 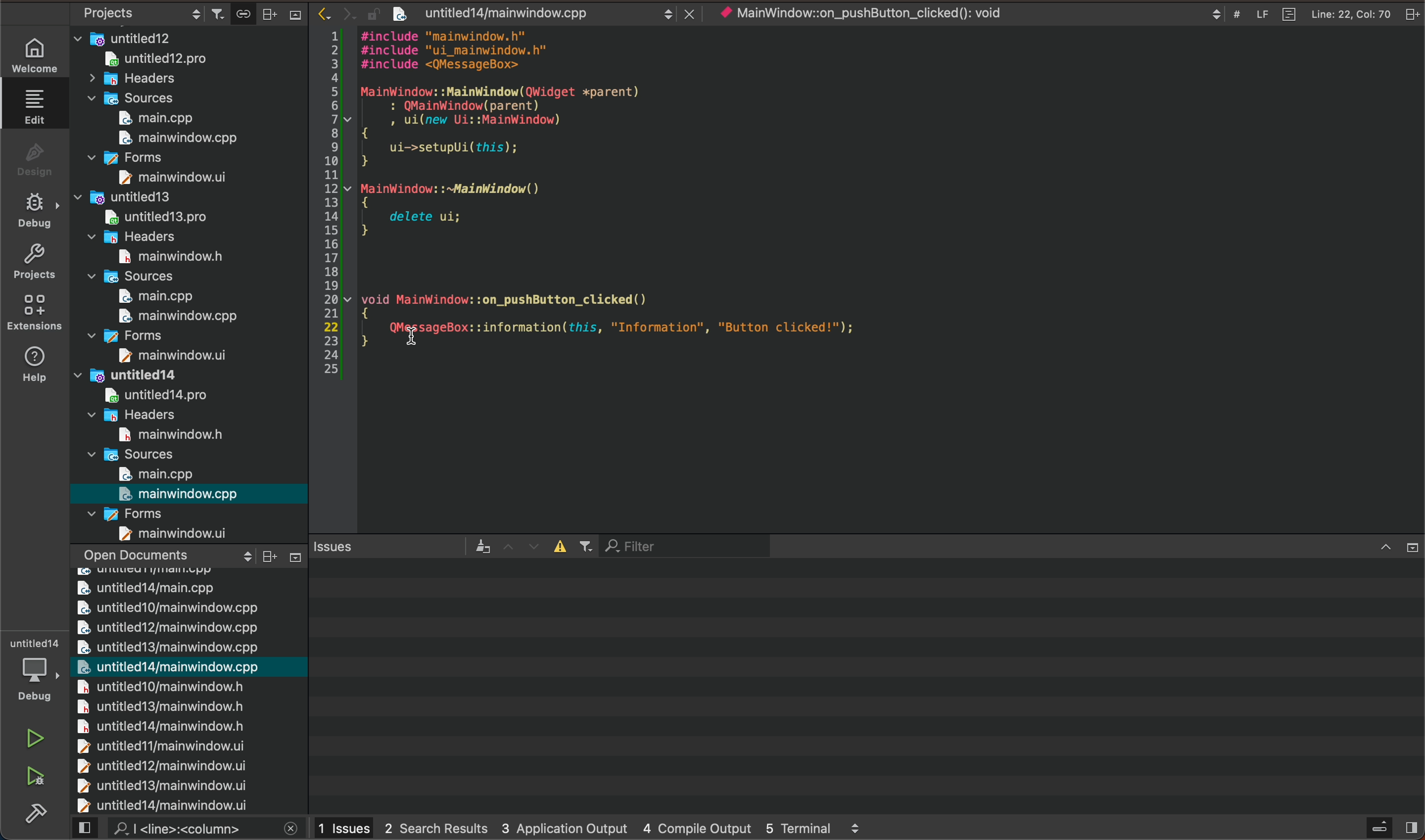 I want to click on DE, so click(x=32, y=212).